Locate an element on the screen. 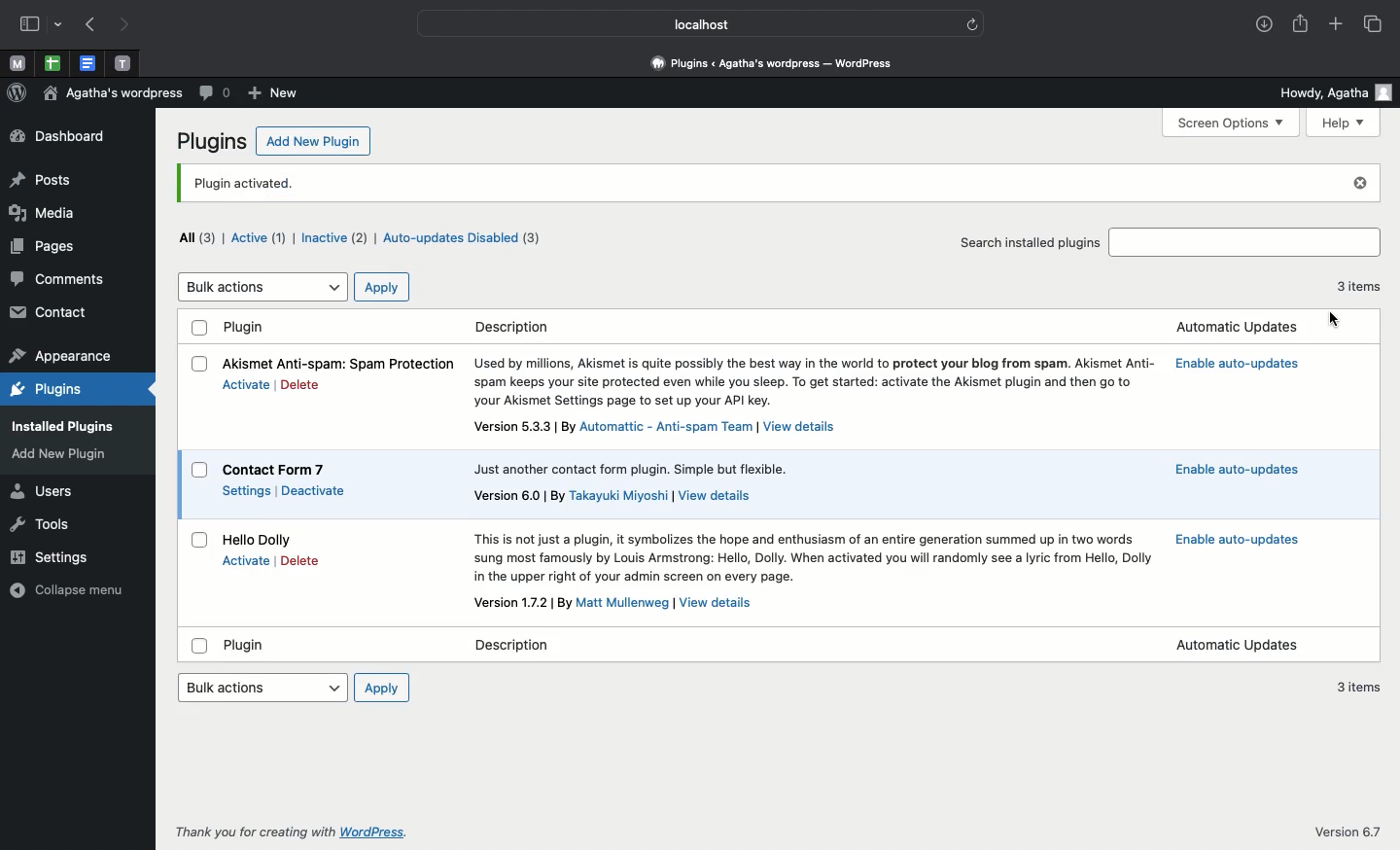 The image size is (1400, 850). search bar is located at coordinates (1246, 242).